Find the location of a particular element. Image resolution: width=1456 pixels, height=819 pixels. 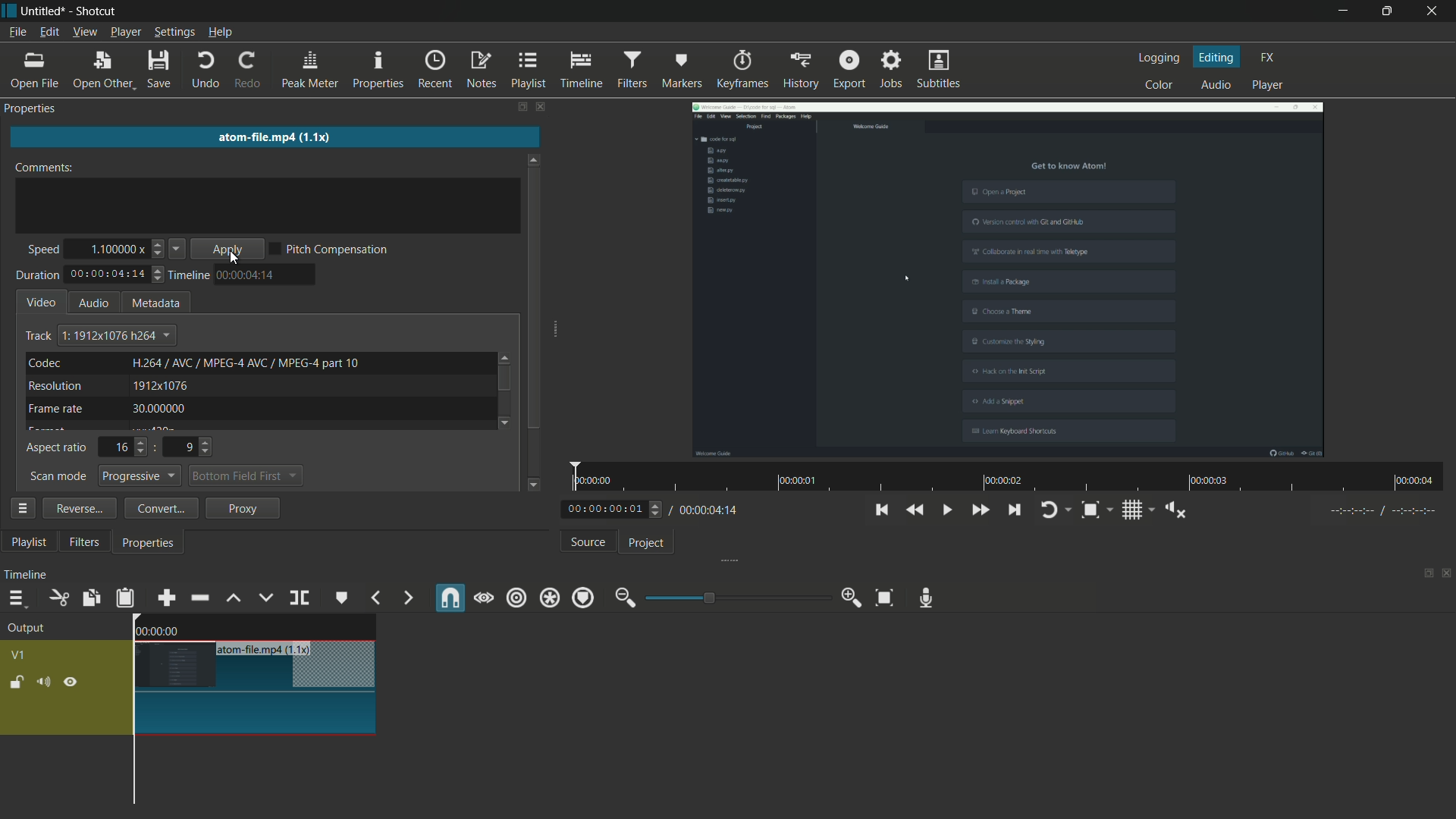

subtitles is located at coordinates (940, 70).